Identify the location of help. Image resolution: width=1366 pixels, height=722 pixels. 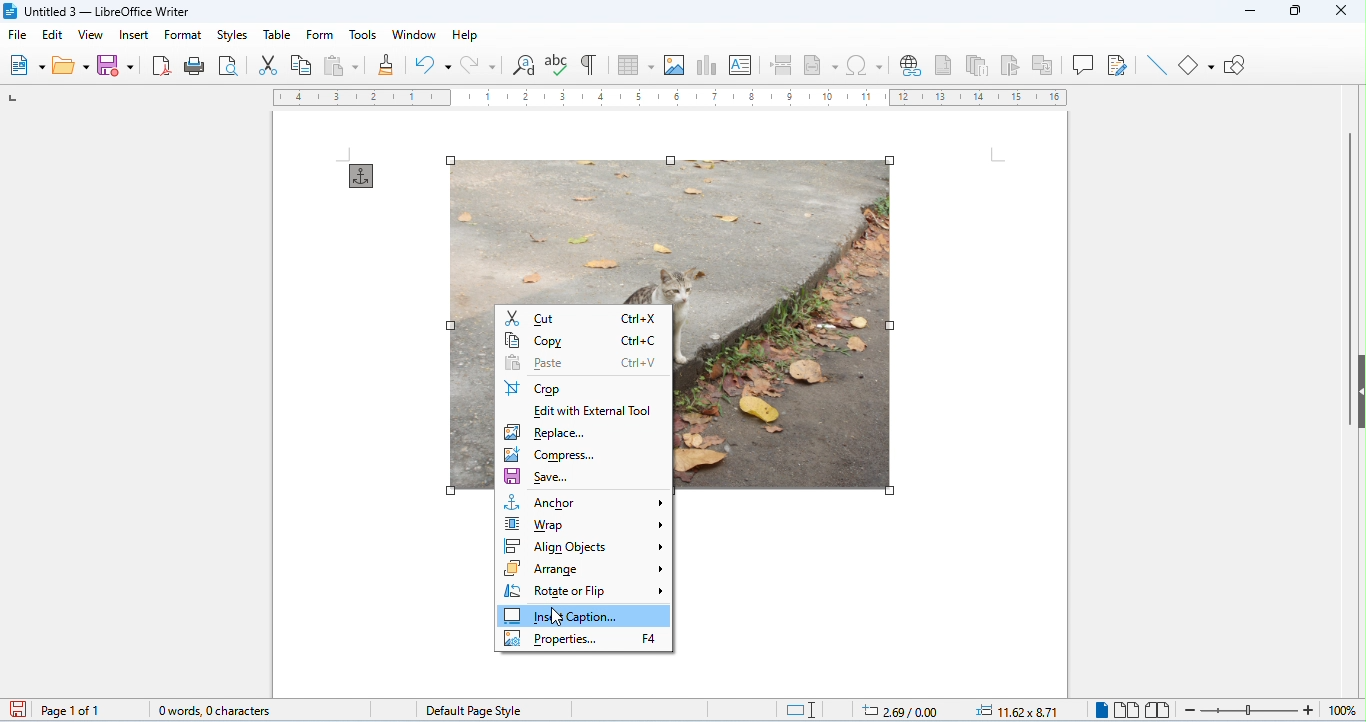
(465, 35).